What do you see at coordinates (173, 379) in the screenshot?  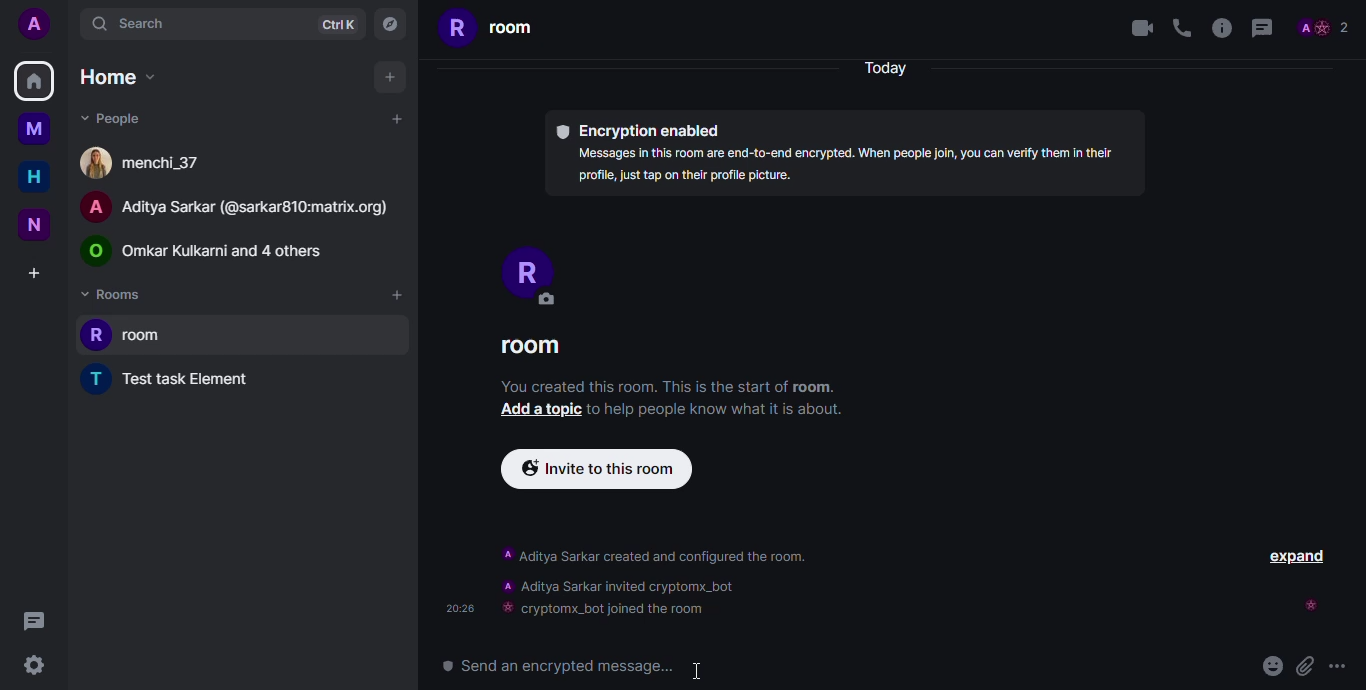 I see `test task element` at bounding box center [173, 379].